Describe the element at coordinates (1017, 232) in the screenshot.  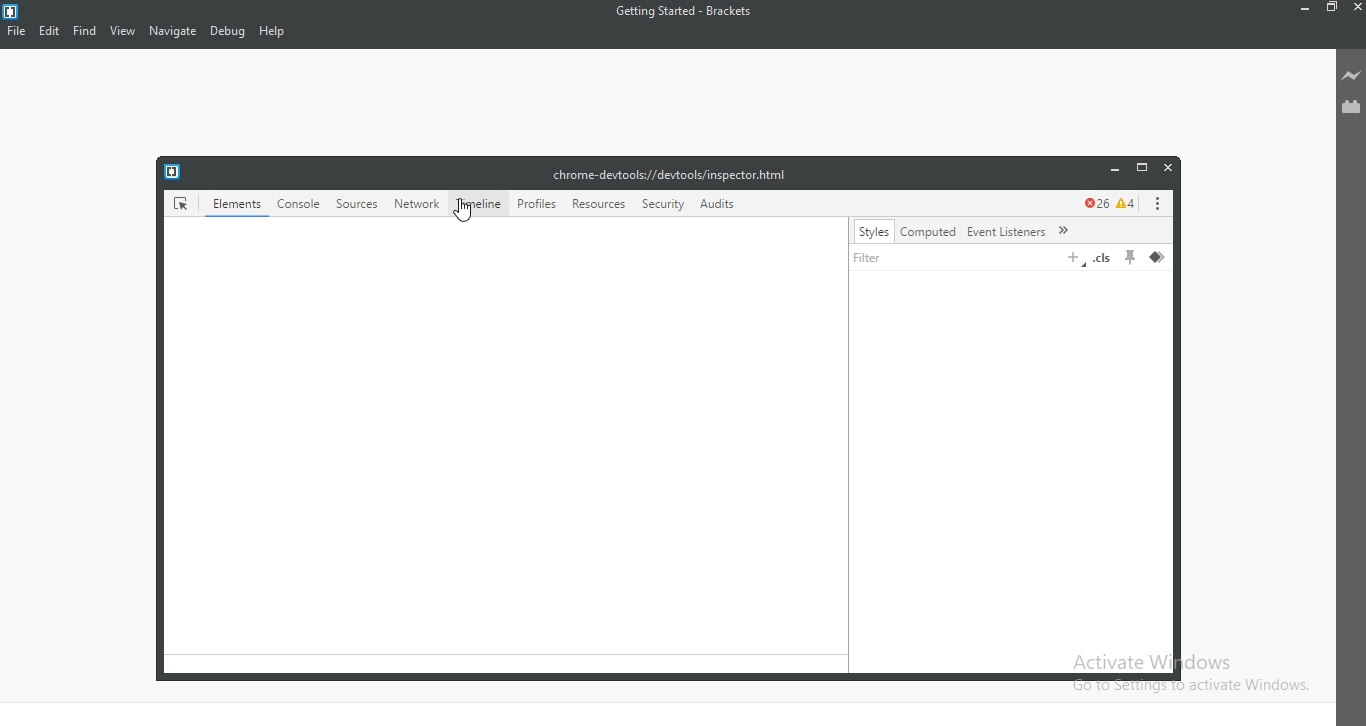
I see `event listeners` at that location.